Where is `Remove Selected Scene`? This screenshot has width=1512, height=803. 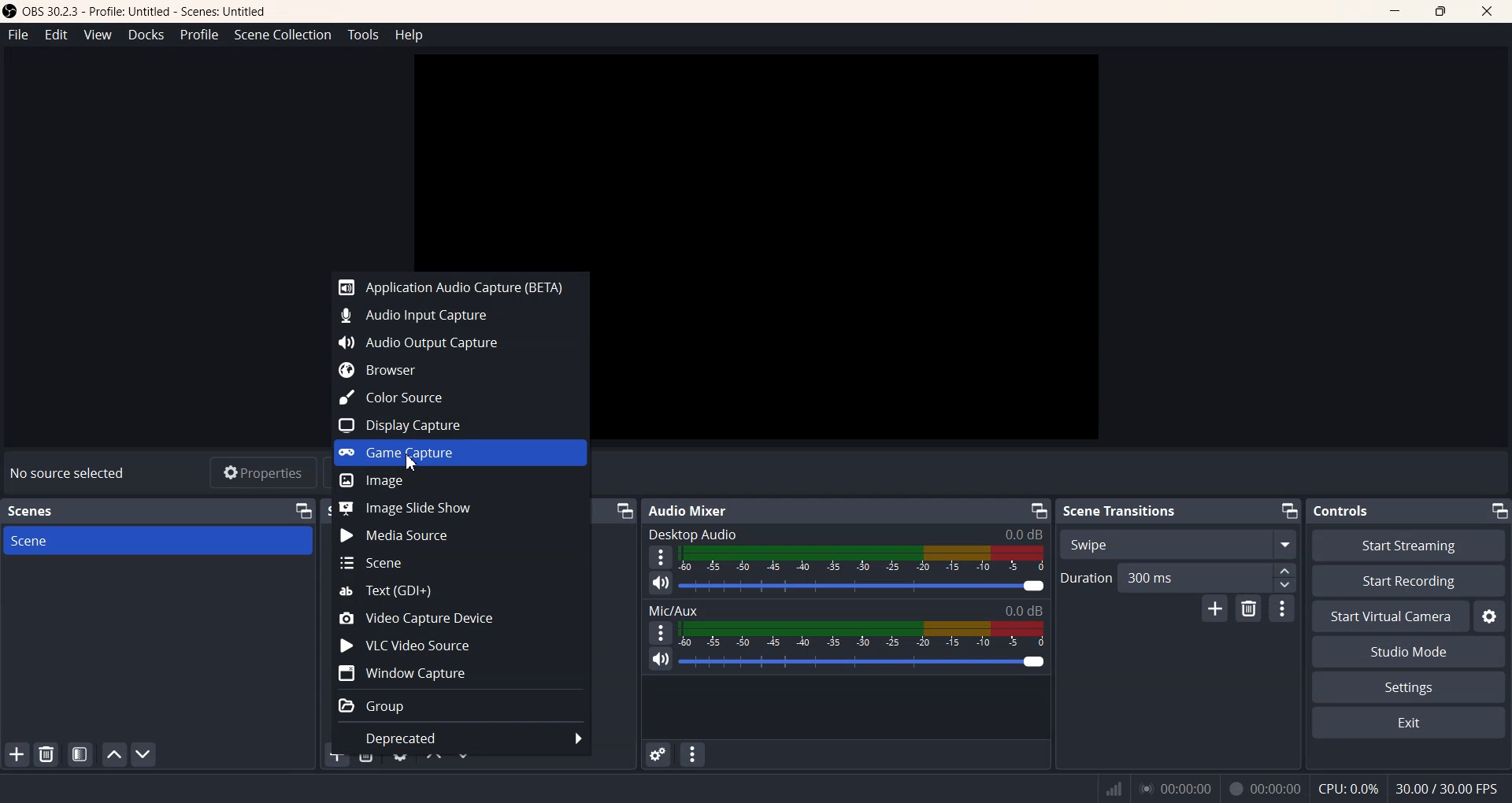
Remove Selected Scene is located at coordinates (46, 754).